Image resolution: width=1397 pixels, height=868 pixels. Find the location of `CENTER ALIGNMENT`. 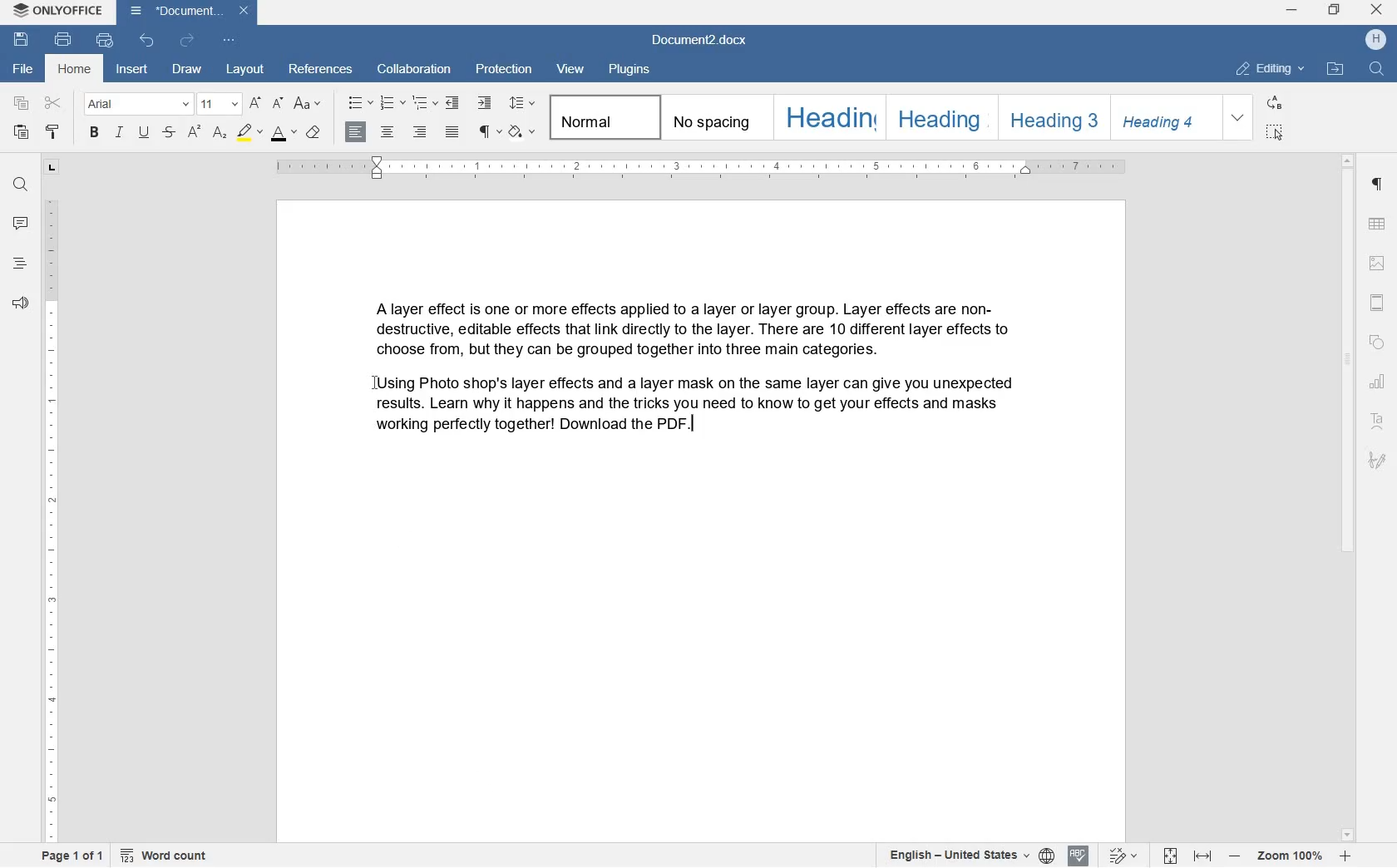

CENTER ALIGNMENT is located at coordinates (388, 132).